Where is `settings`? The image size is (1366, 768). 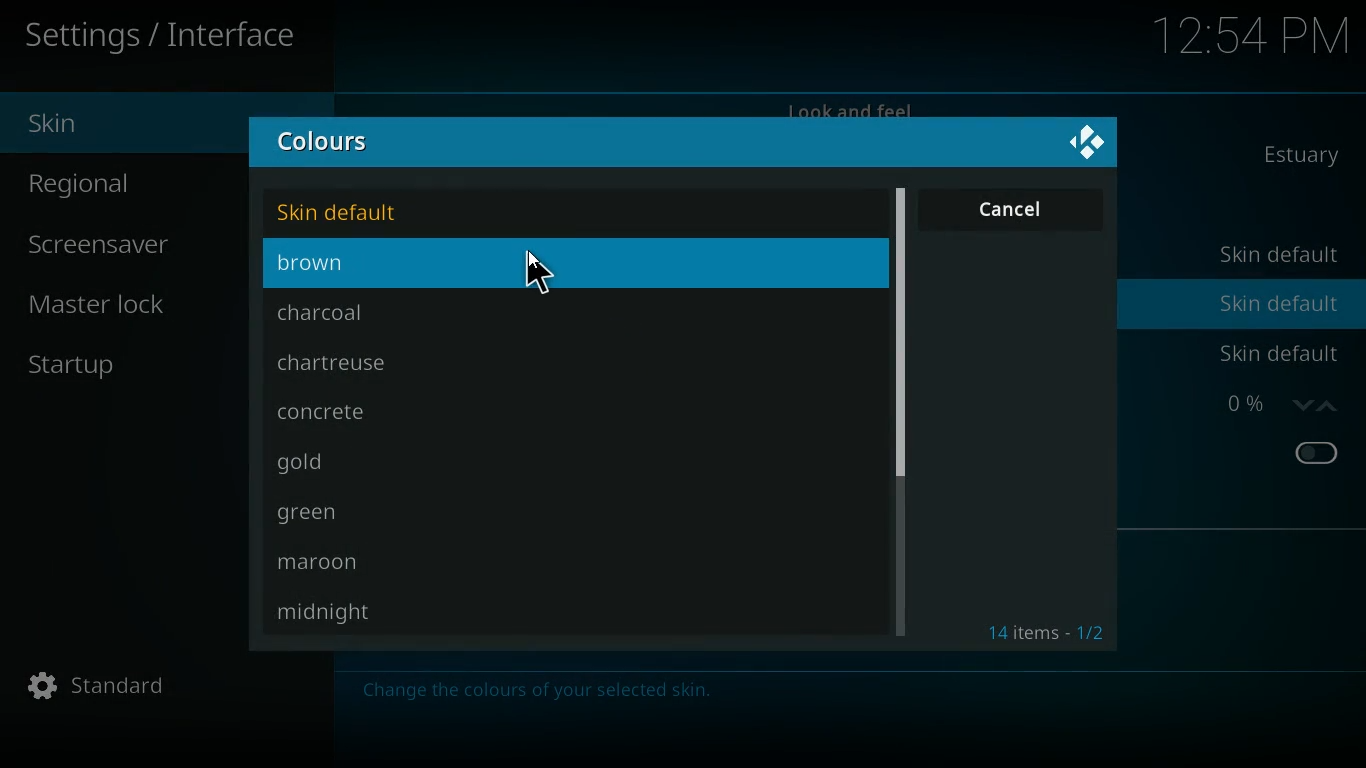
settings is located at coordinates (166, 37).